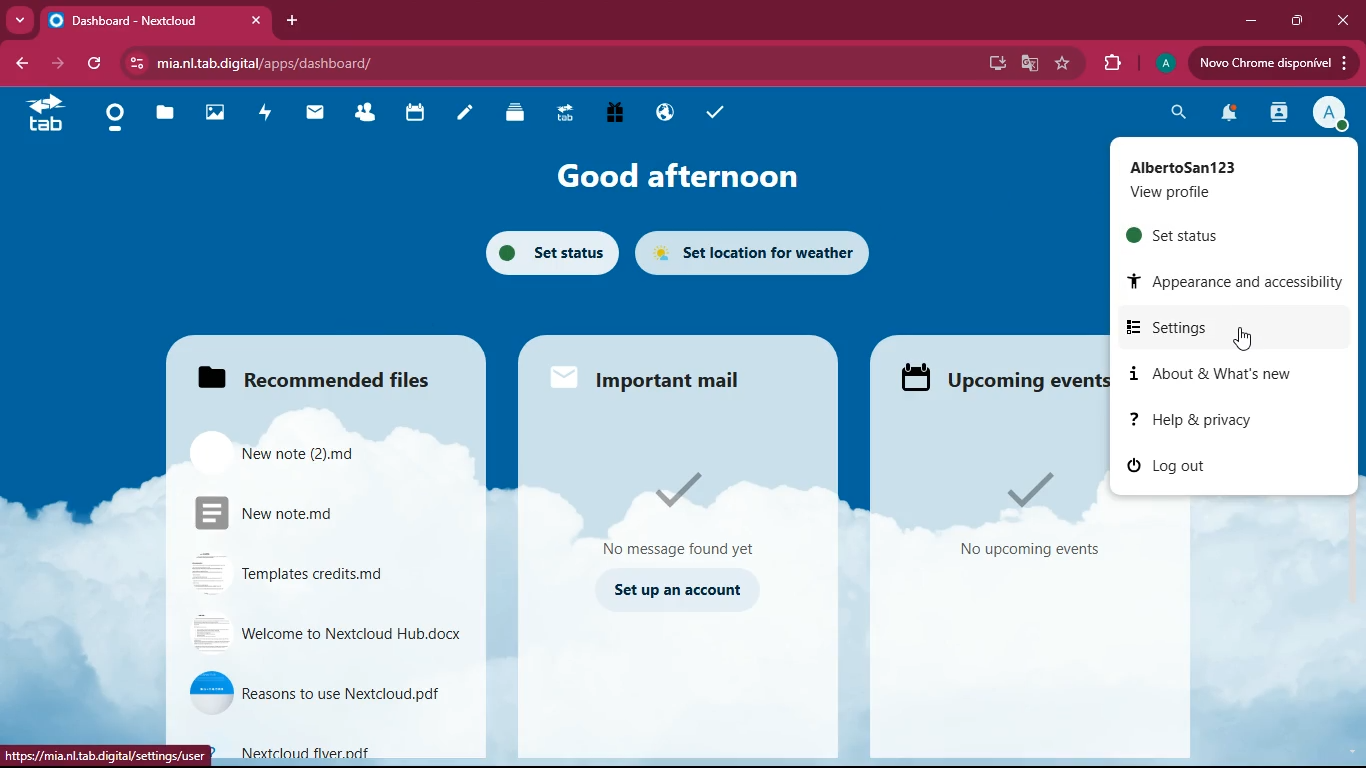  Describe the element at coordinates (569, 114) in the screenshot. I see `tab` at that location.